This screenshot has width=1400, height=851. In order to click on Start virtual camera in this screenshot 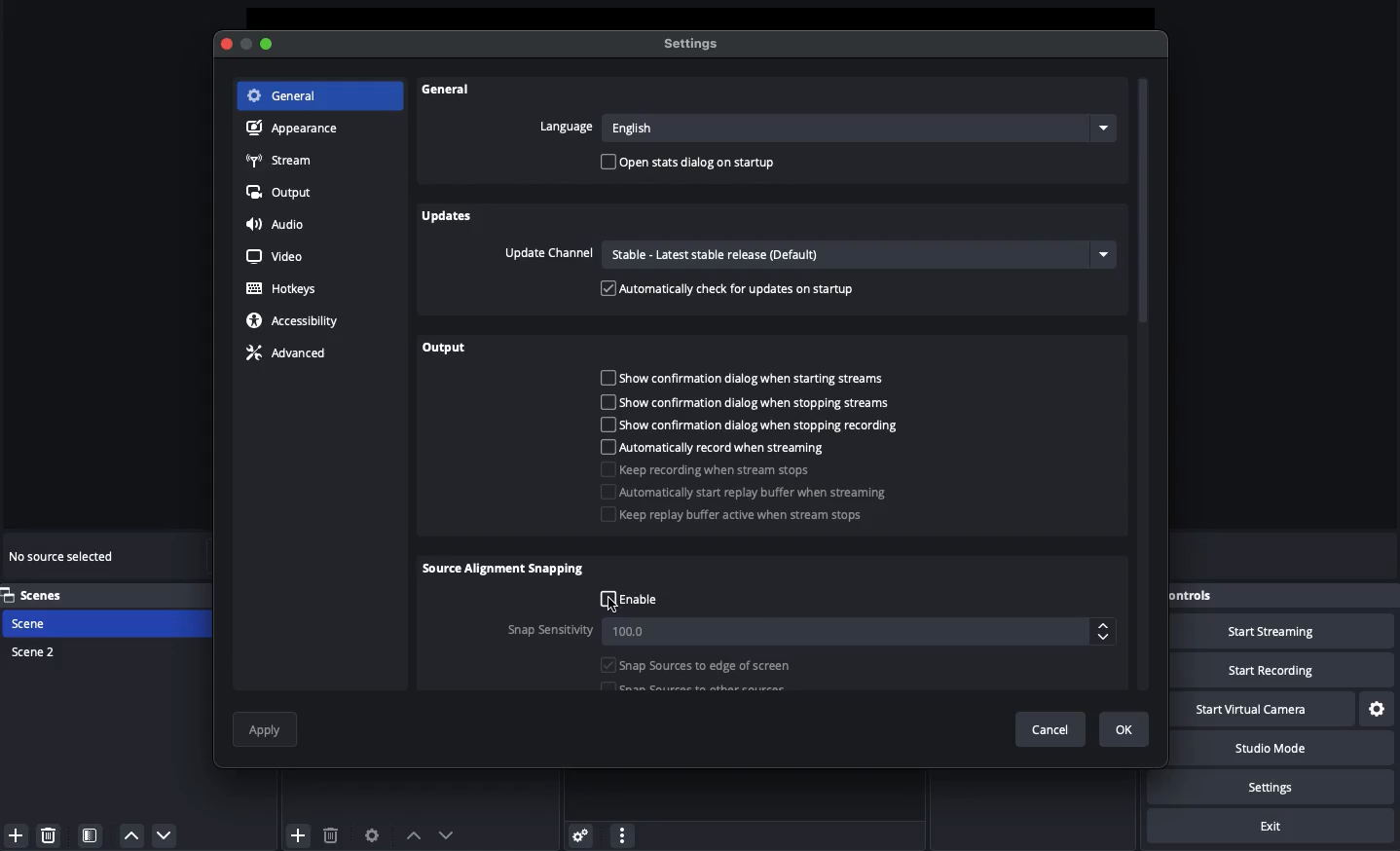, I will do `click(1269, 708)`.